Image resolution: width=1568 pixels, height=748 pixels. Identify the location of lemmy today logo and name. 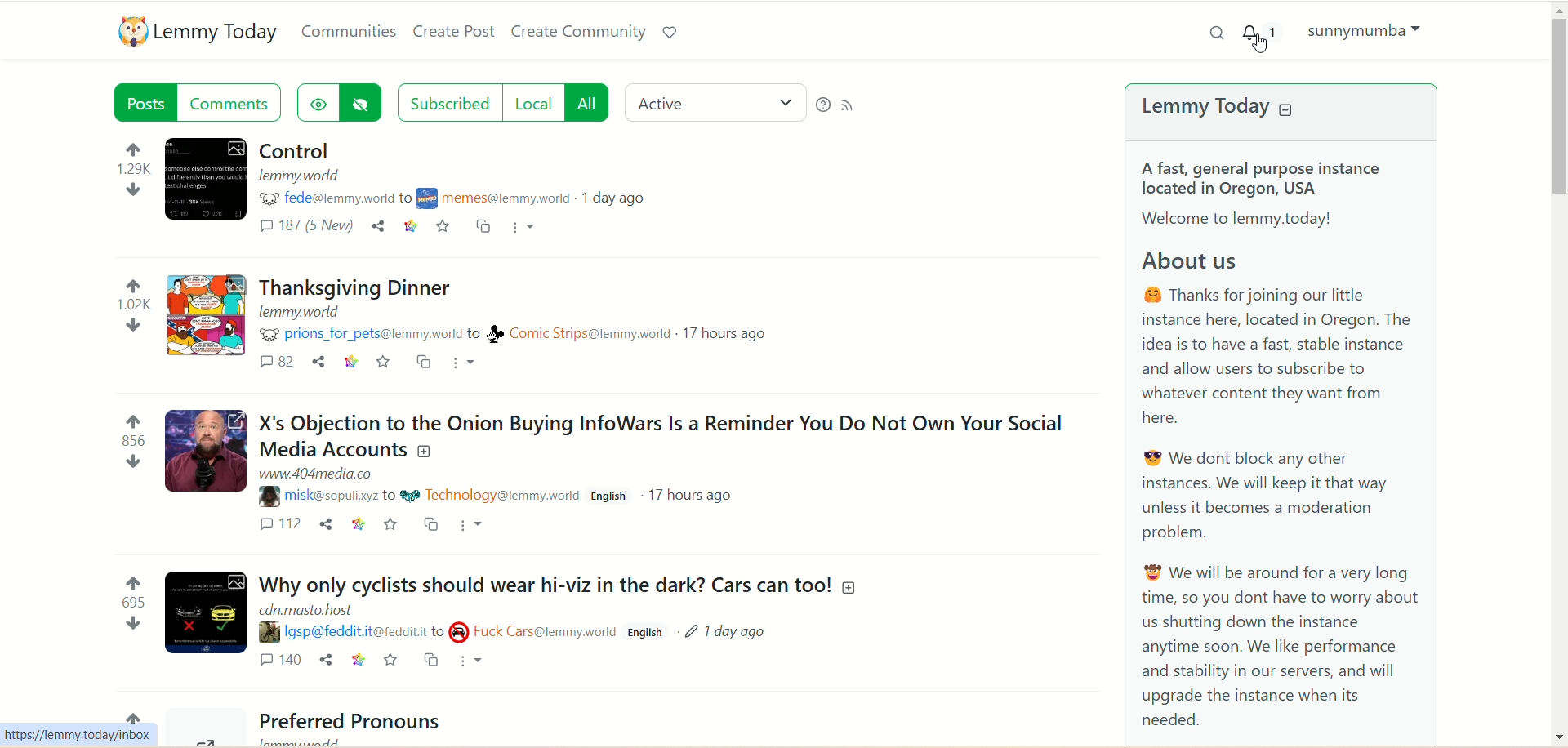
(195, 29).